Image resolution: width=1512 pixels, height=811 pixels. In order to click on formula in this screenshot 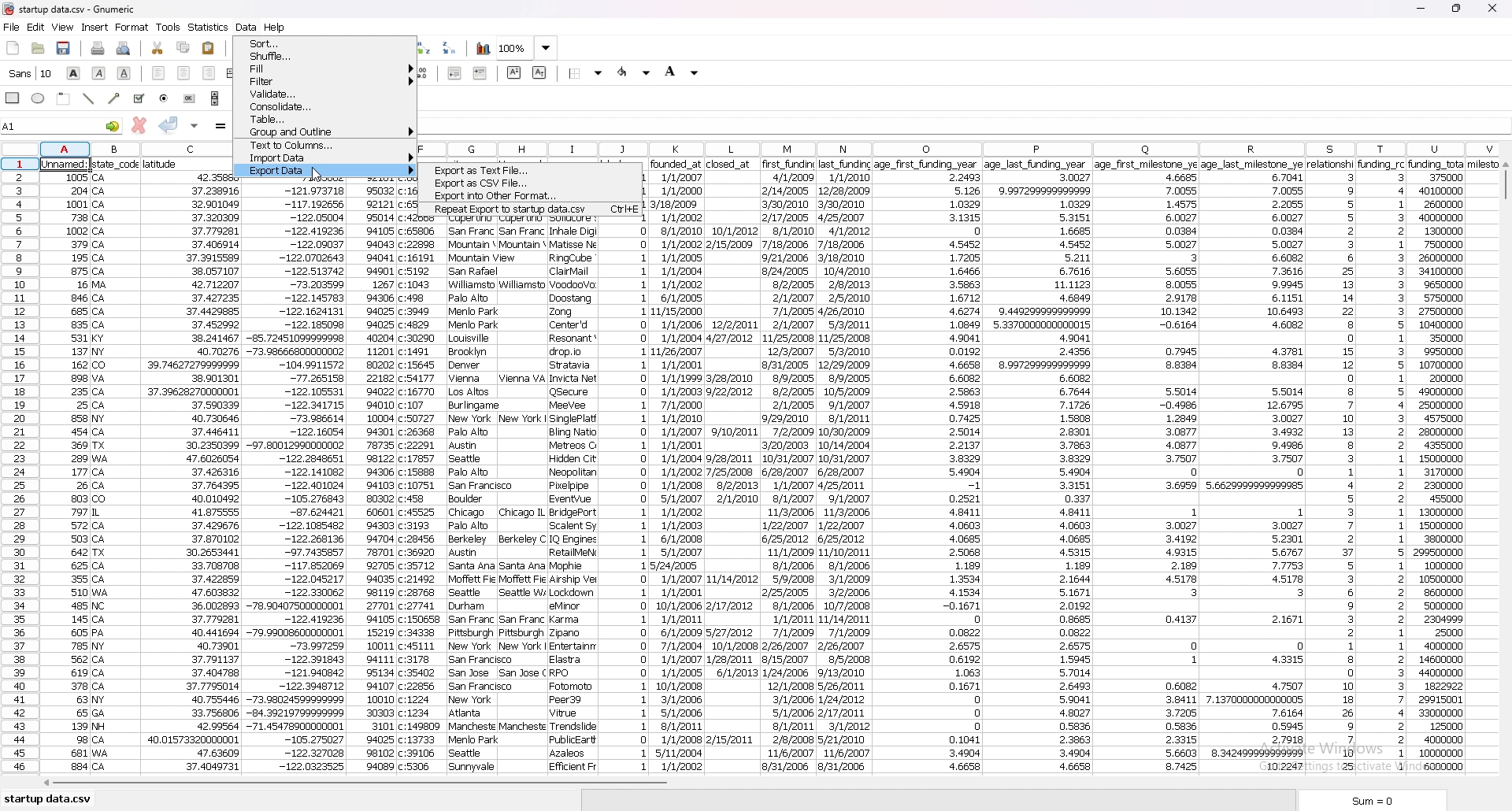, I will do `click(221, 126)`.